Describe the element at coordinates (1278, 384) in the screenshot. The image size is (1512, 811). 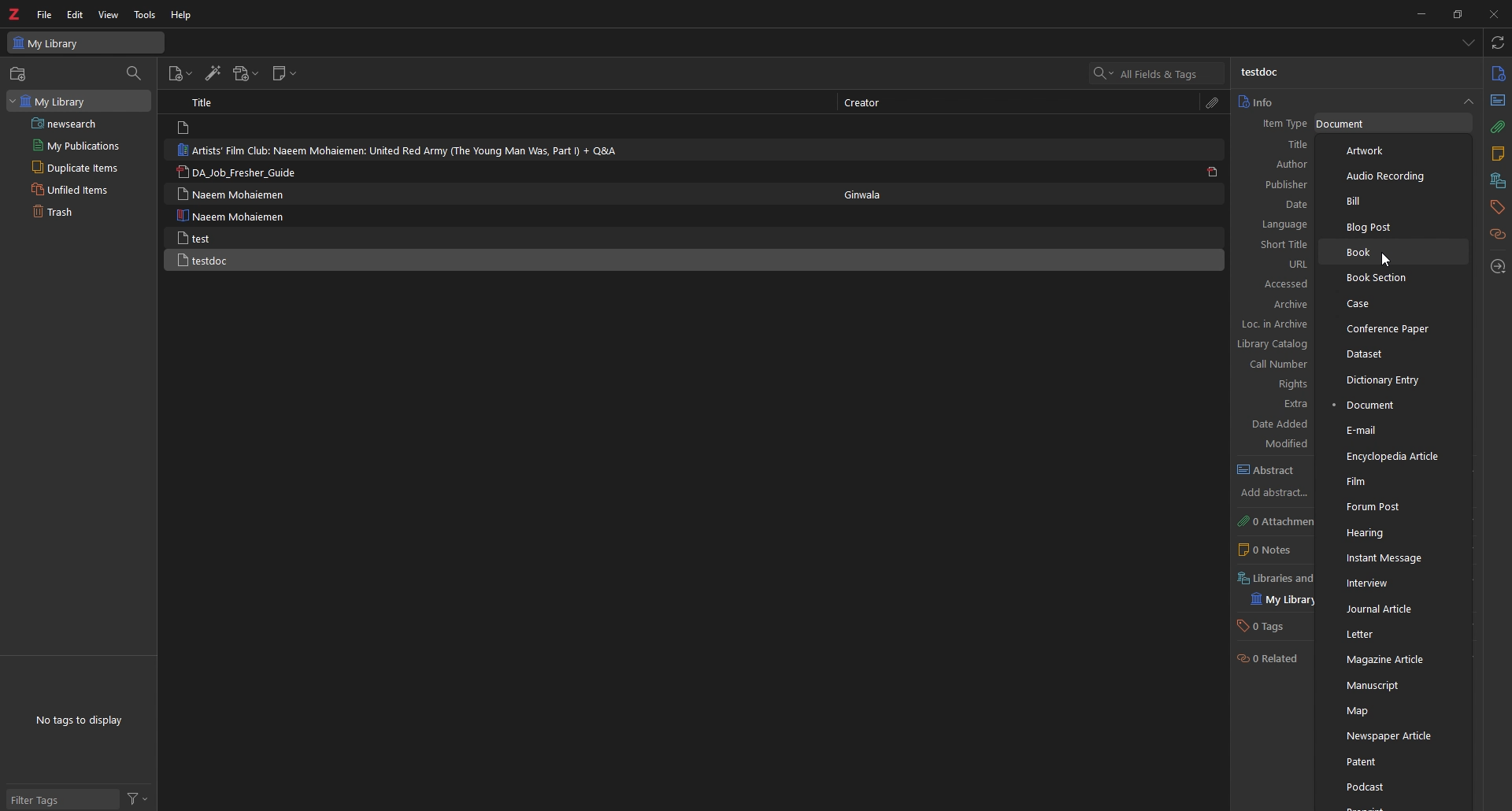
I see `Rights` at that location.